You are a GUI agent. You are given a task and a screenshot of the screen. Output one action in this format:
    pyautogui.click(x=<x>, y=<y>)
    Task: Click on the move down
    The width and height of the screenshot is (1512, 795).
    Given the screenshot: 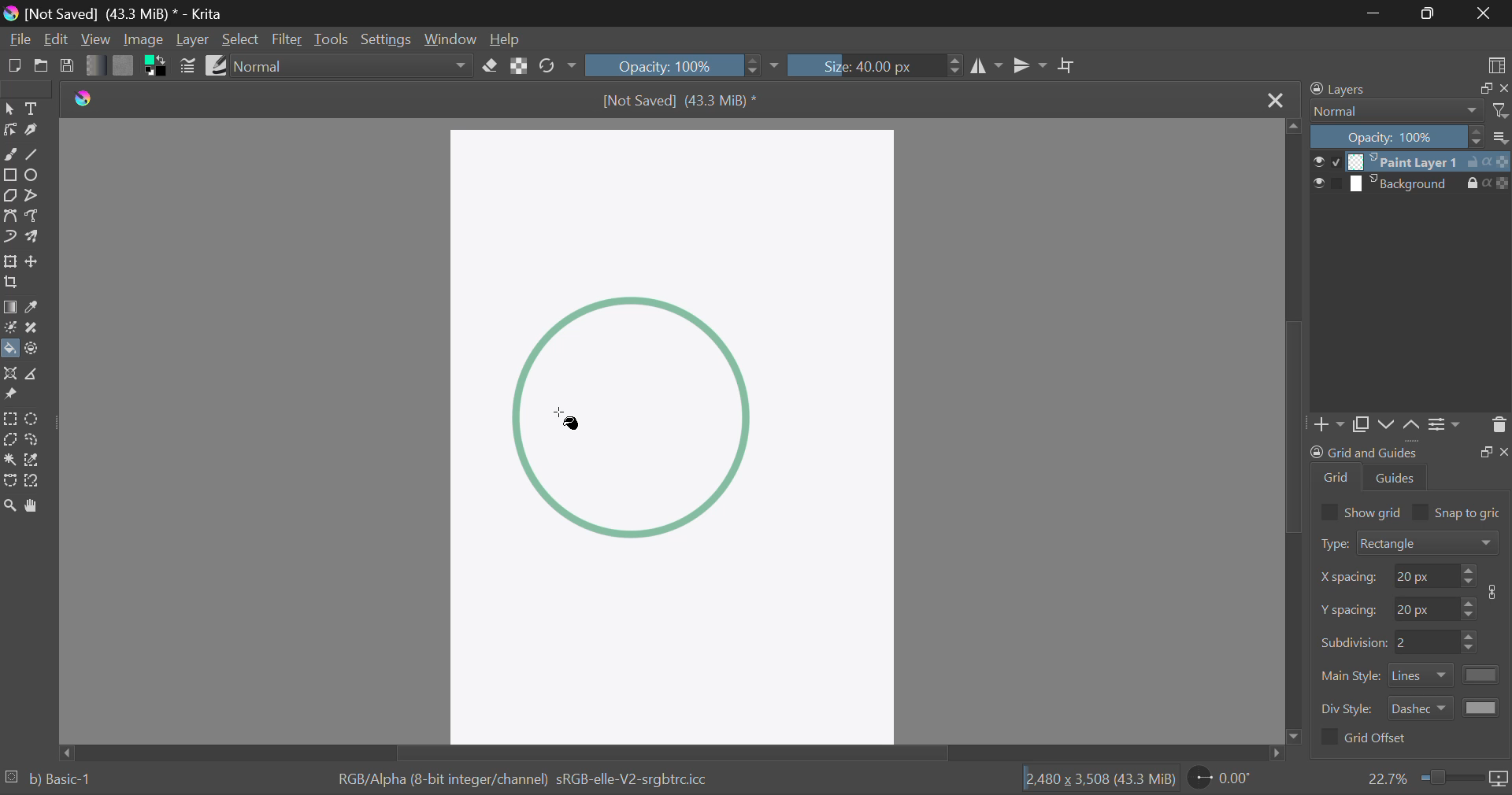 What is the action you would take?
    pyautogui.click(x=1293, y=735)
    